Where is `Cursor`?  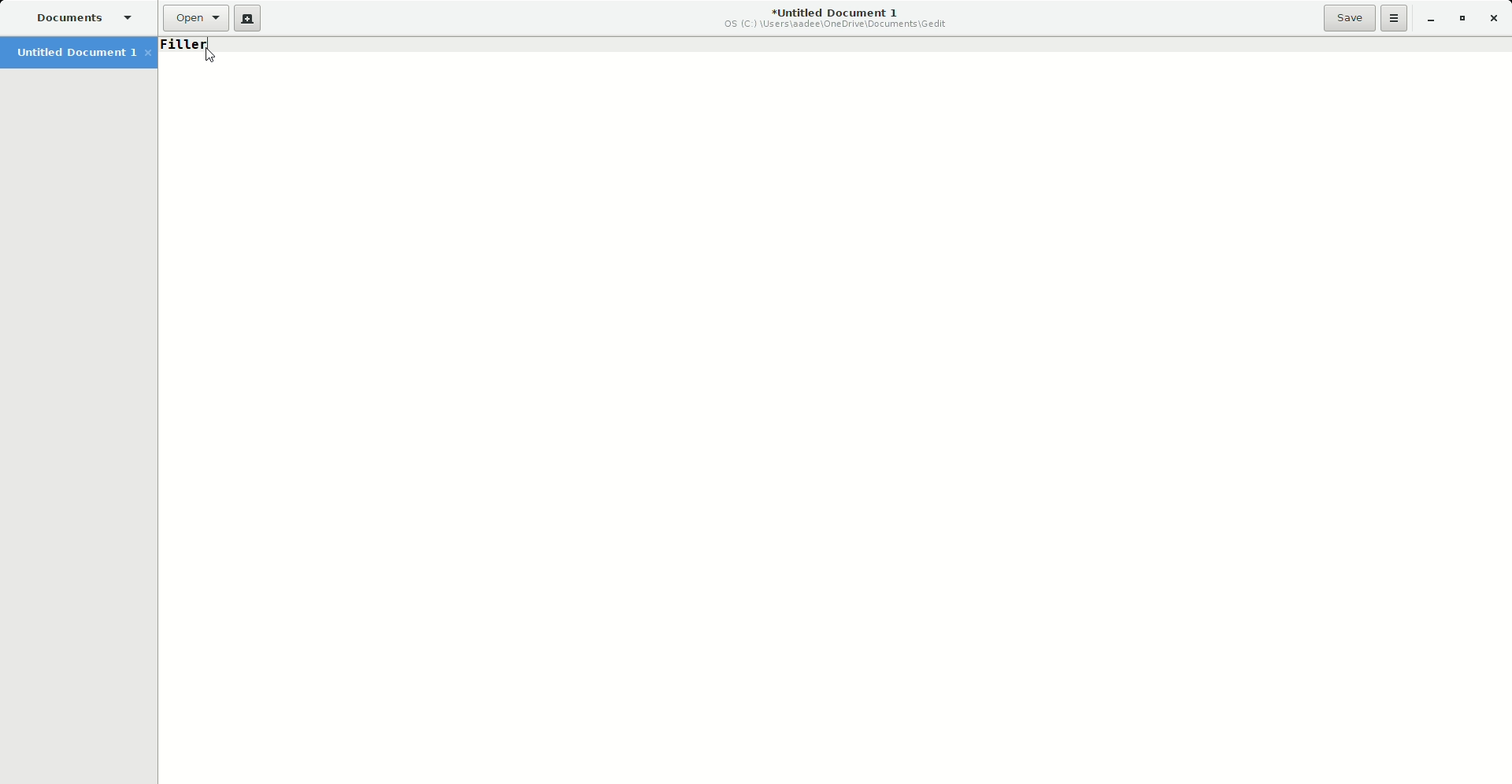
Cursor is located at coordinates (213, 56).